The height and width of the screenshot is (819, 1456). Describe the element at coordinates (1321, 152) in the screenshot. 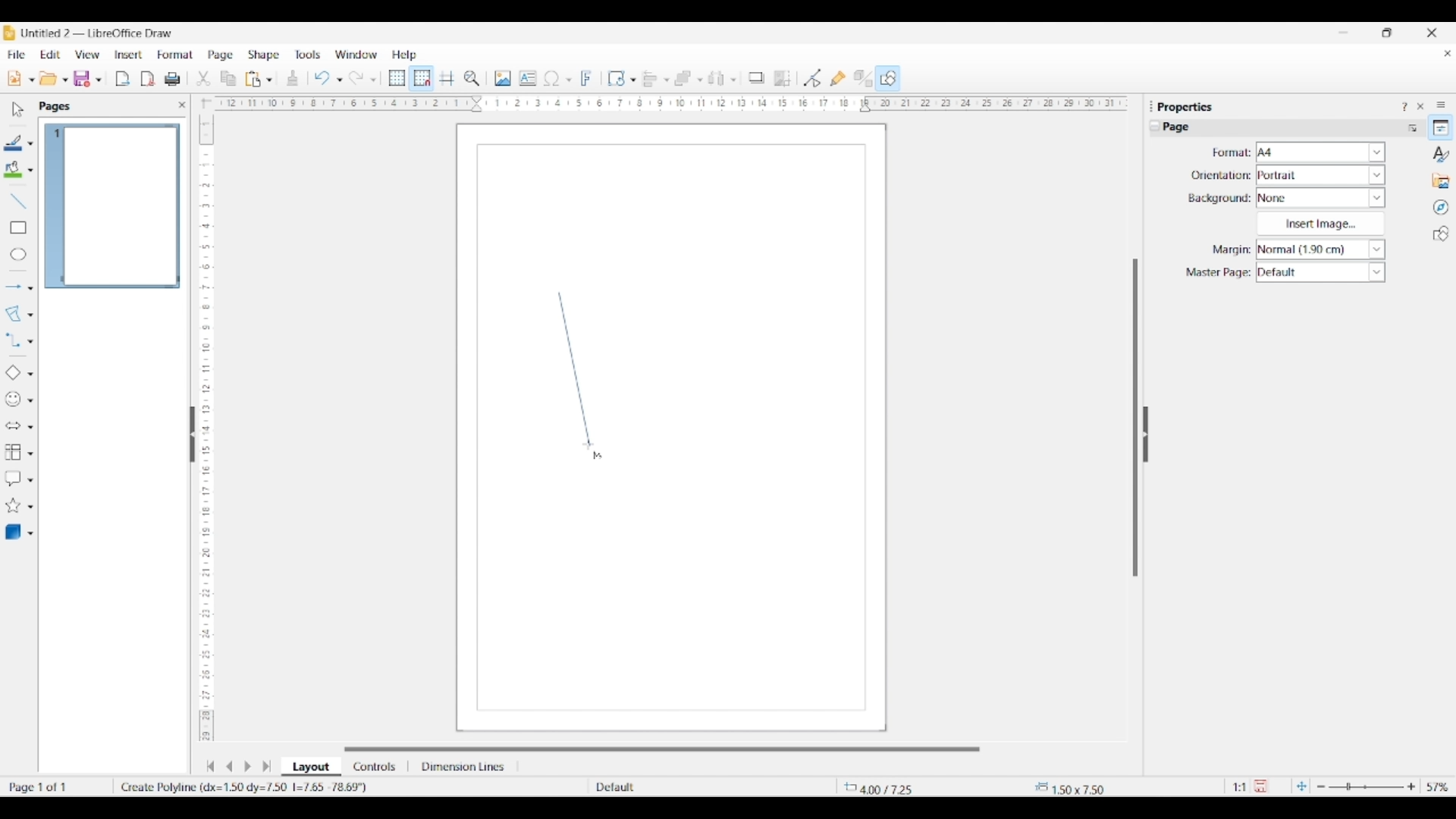

I see `Format options` at that location.